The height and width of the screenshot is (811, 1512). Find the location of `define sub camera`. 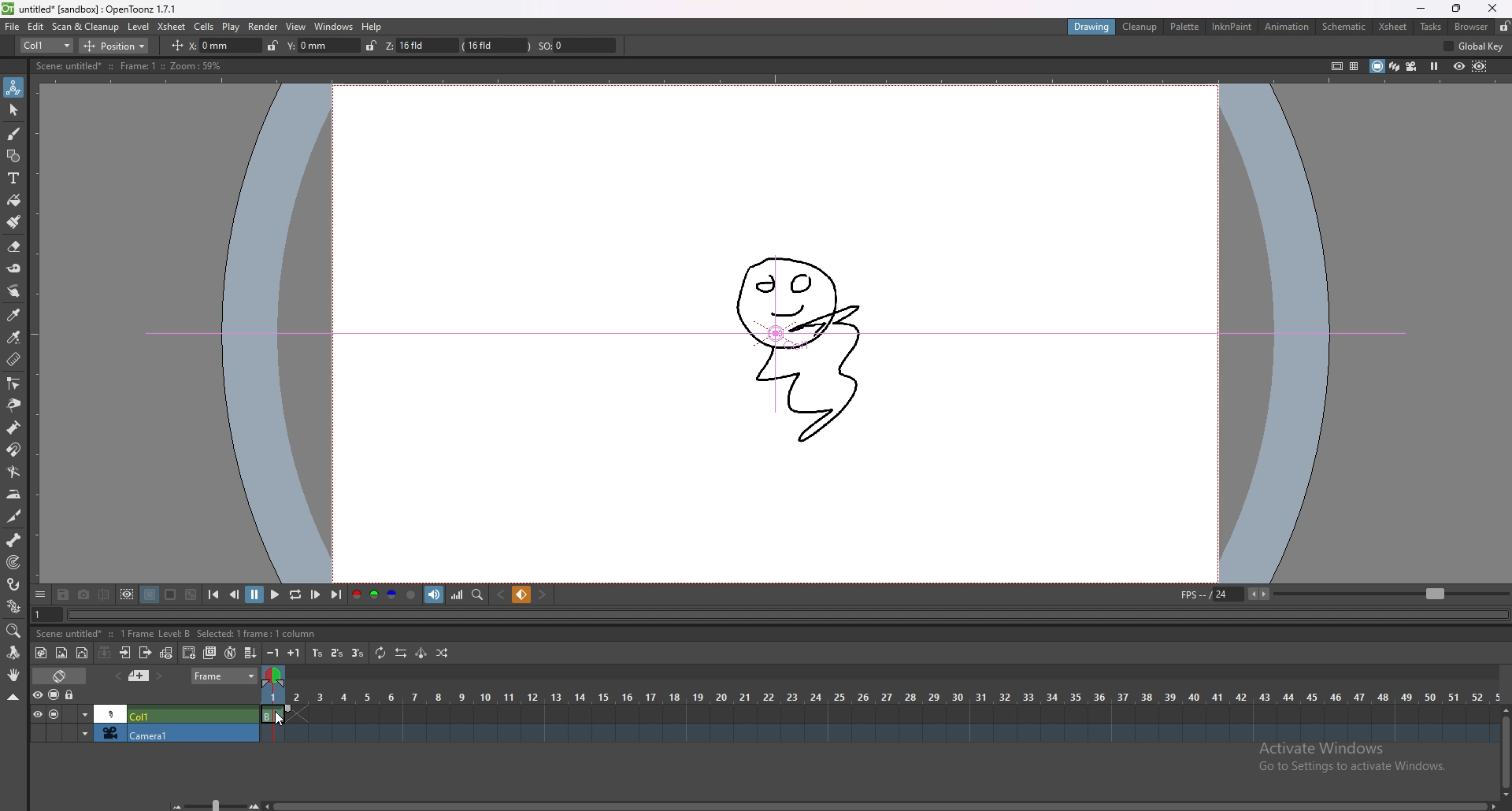

define sub camera is located at coordinates (128, 594).